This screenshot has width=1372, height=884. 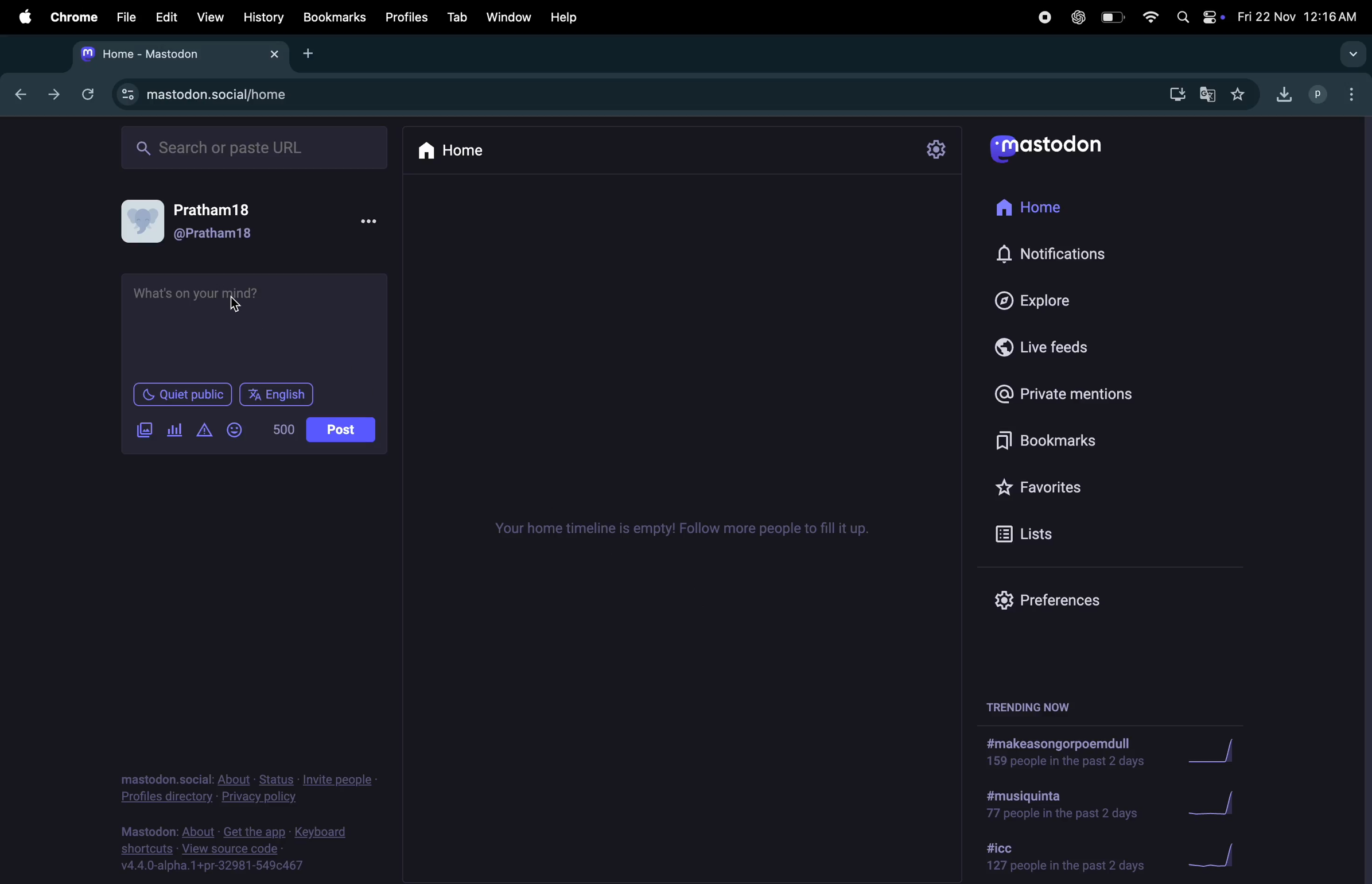 What do you see at coordinates (1031, 709) in the screenshot?
I see `trending now` at bounding box center [1031, 709].